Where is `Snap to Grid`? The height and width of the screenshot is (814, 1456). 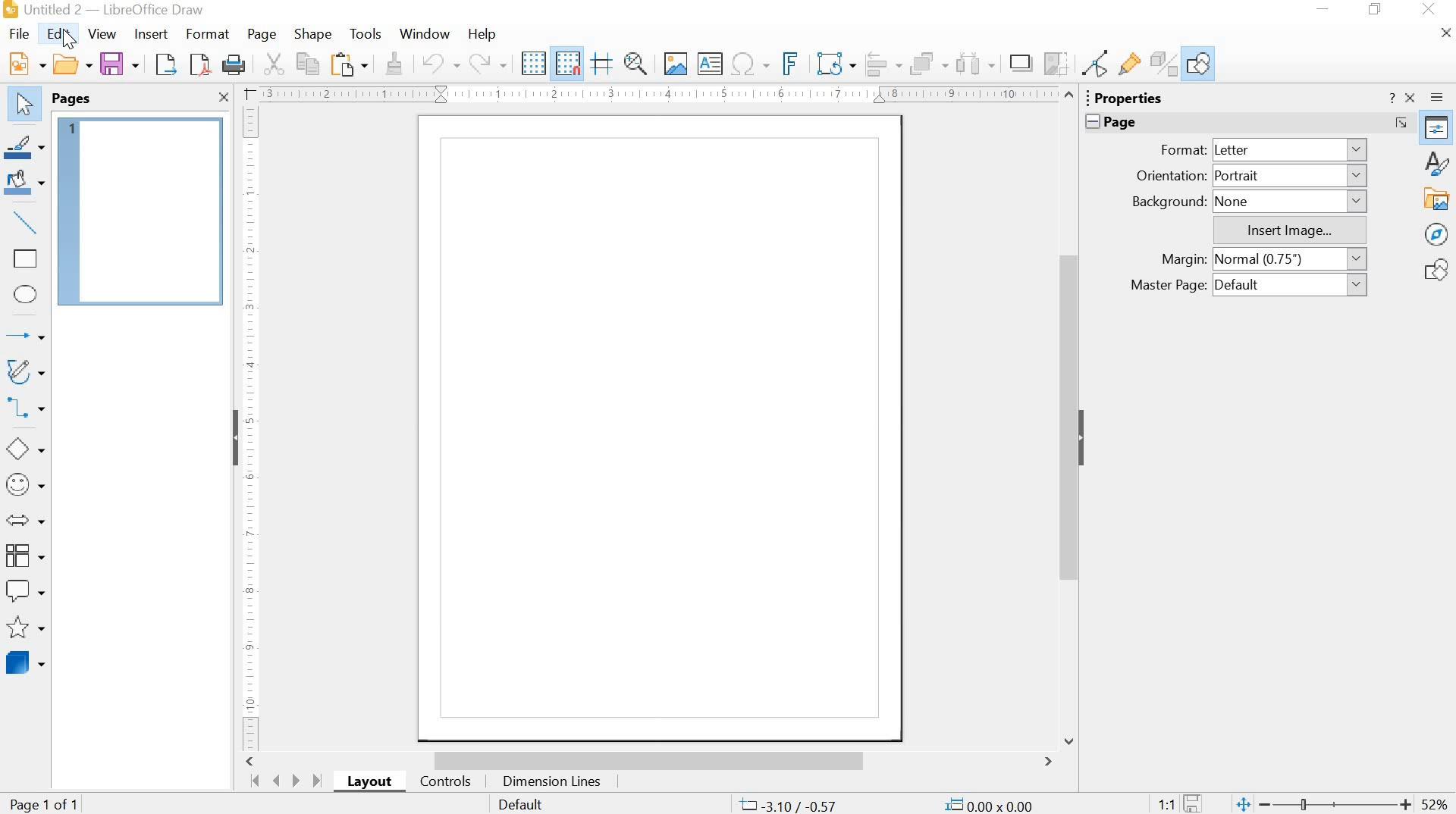
Snap to Grid is located at coordinates (569, 64).